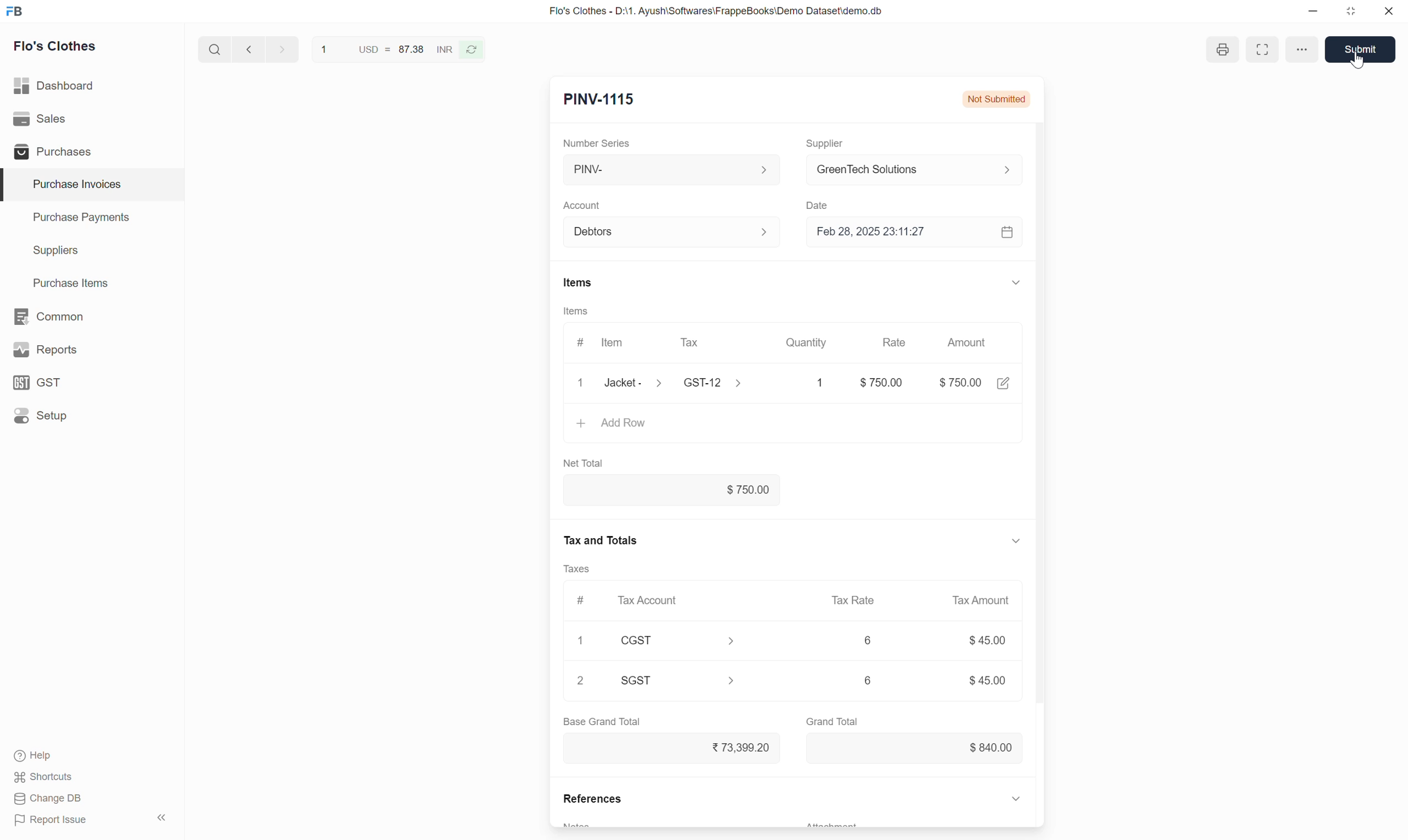 Image resolution: width=1408 pixels, height=840 pixels. Describe the element at coordinates (987, 640) in the screenshot. I see `$45.00` at that location.